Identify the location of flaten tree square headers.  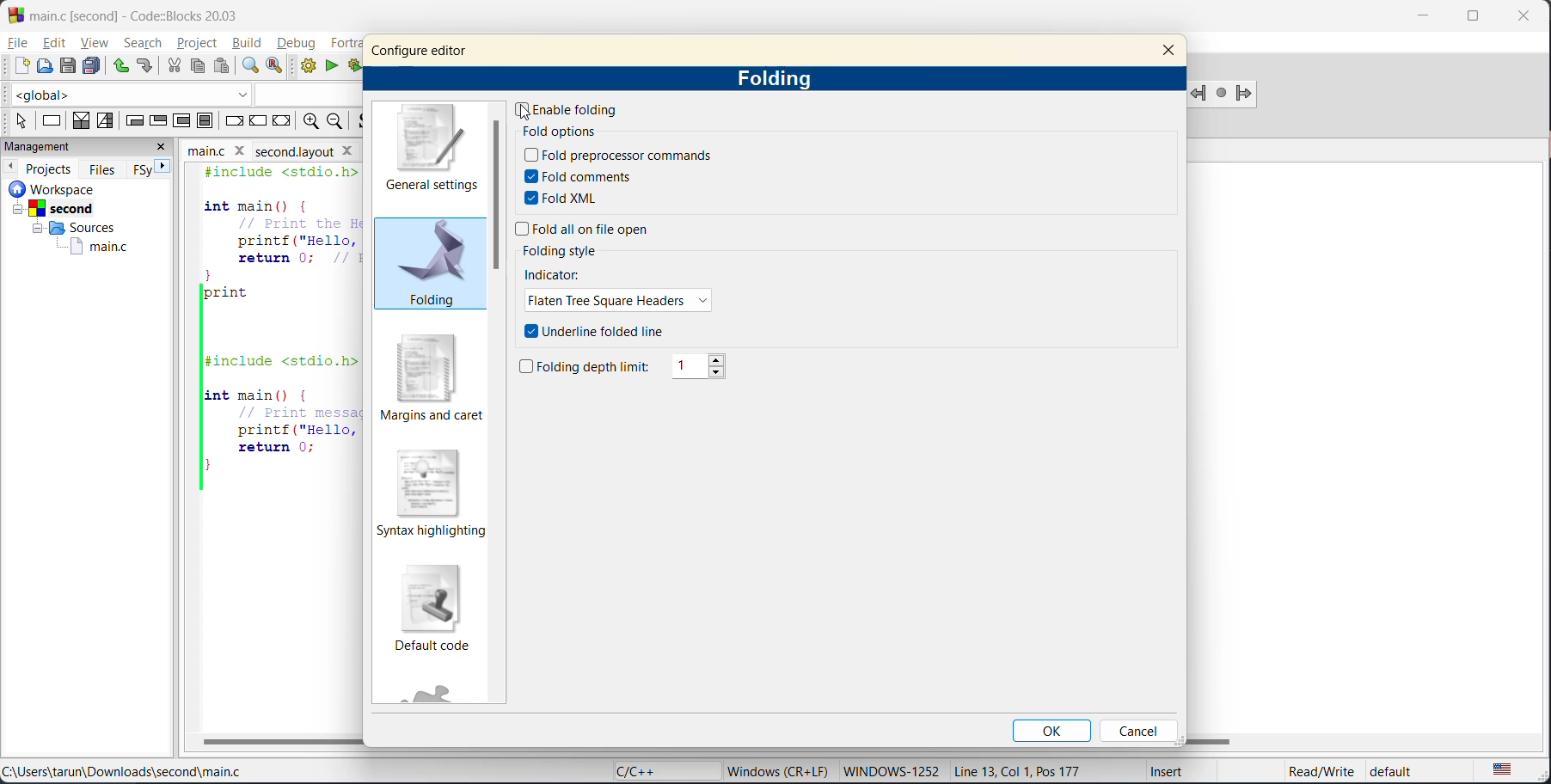
(620, 302).